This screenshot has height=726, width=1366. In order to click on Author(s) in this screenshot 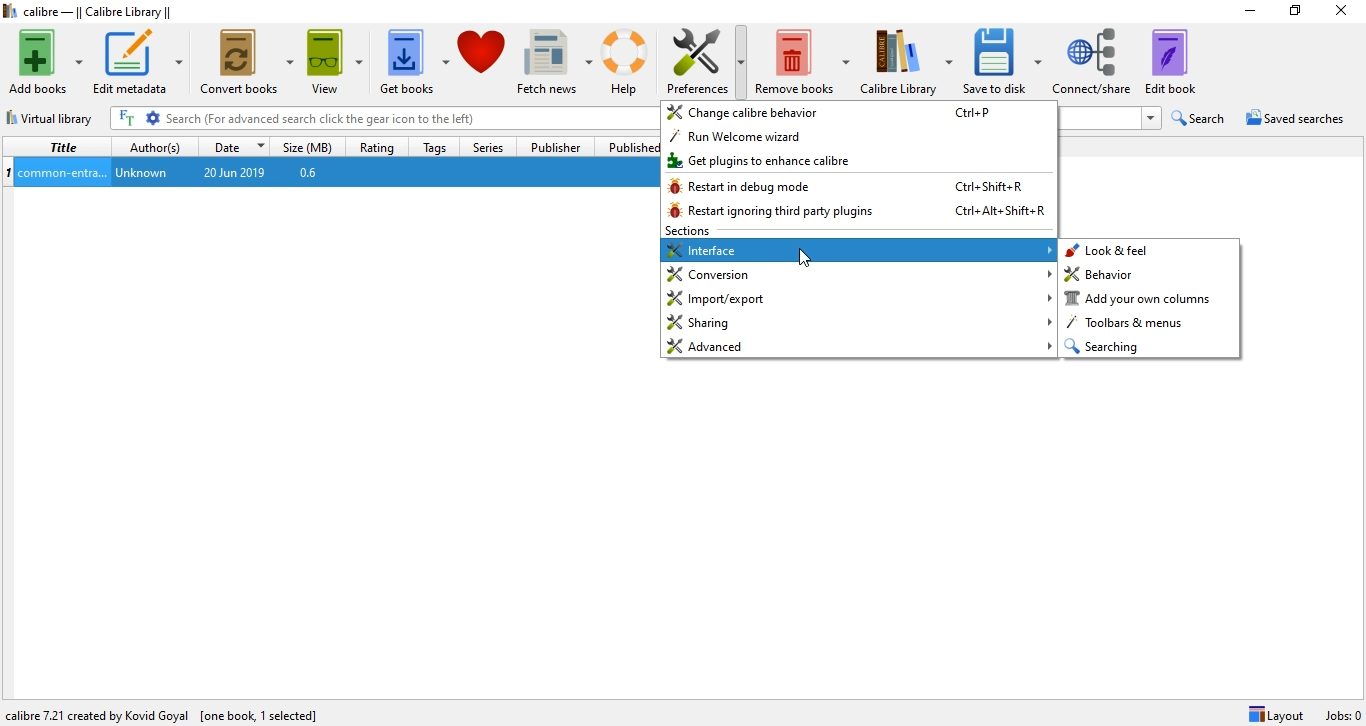, I will do `click(156, 145)`.